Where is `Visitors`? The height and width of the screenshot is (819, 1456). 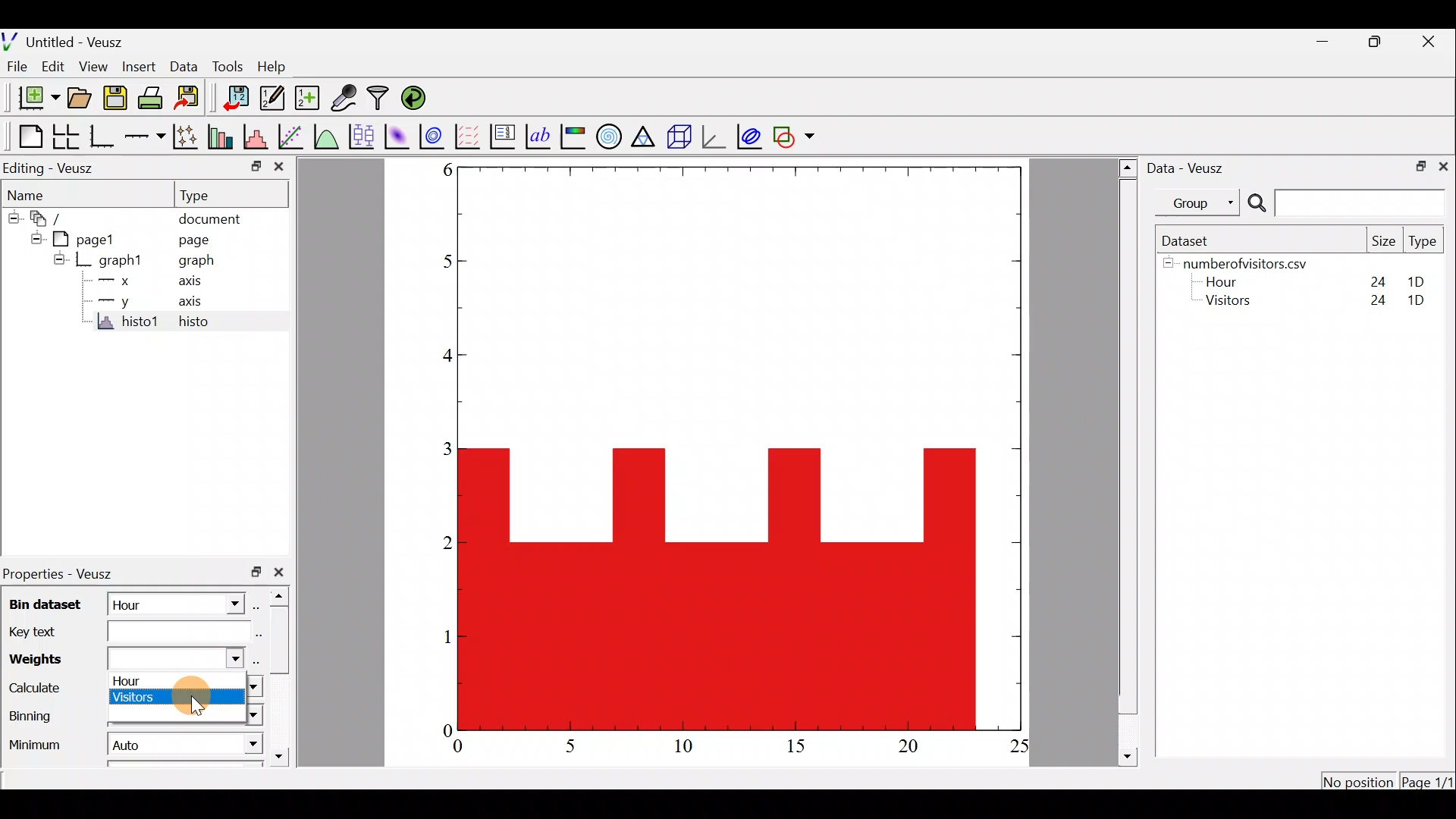 Visitors is located at coordinates (1234, 303).